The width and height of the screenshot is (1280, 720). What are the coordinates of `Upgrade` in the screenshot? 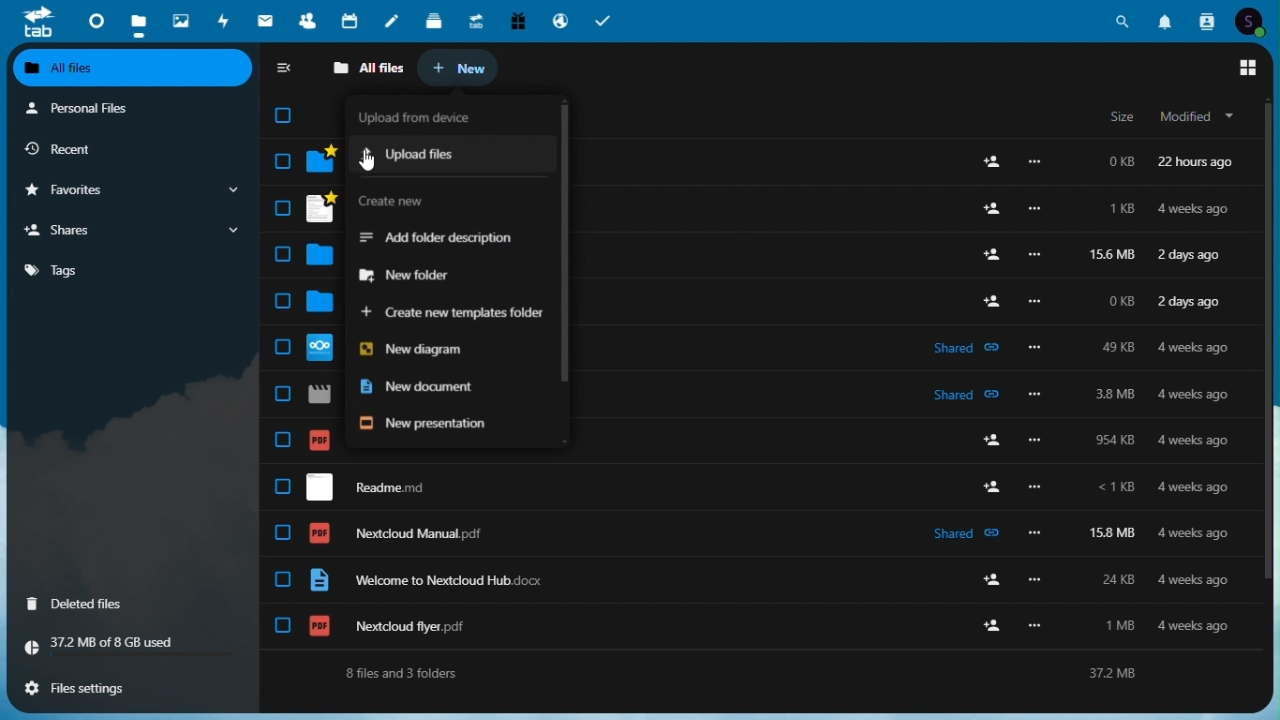 It's located at (476, 20).